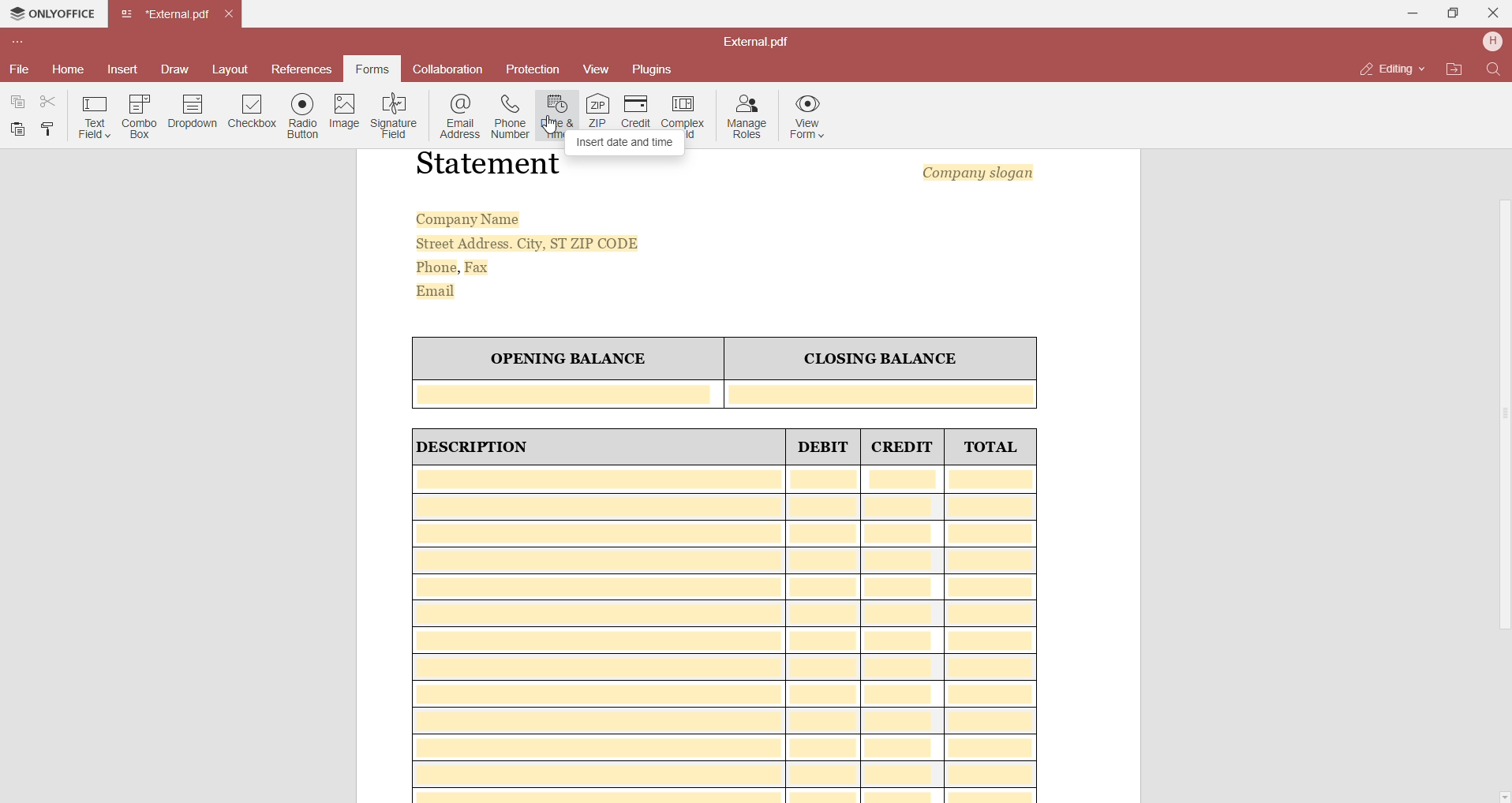 The width and height of the screenshot is (1512, 803). Describe the element at coordinates (396, 117) in the screenshot. I see `Signature Field` at that location.